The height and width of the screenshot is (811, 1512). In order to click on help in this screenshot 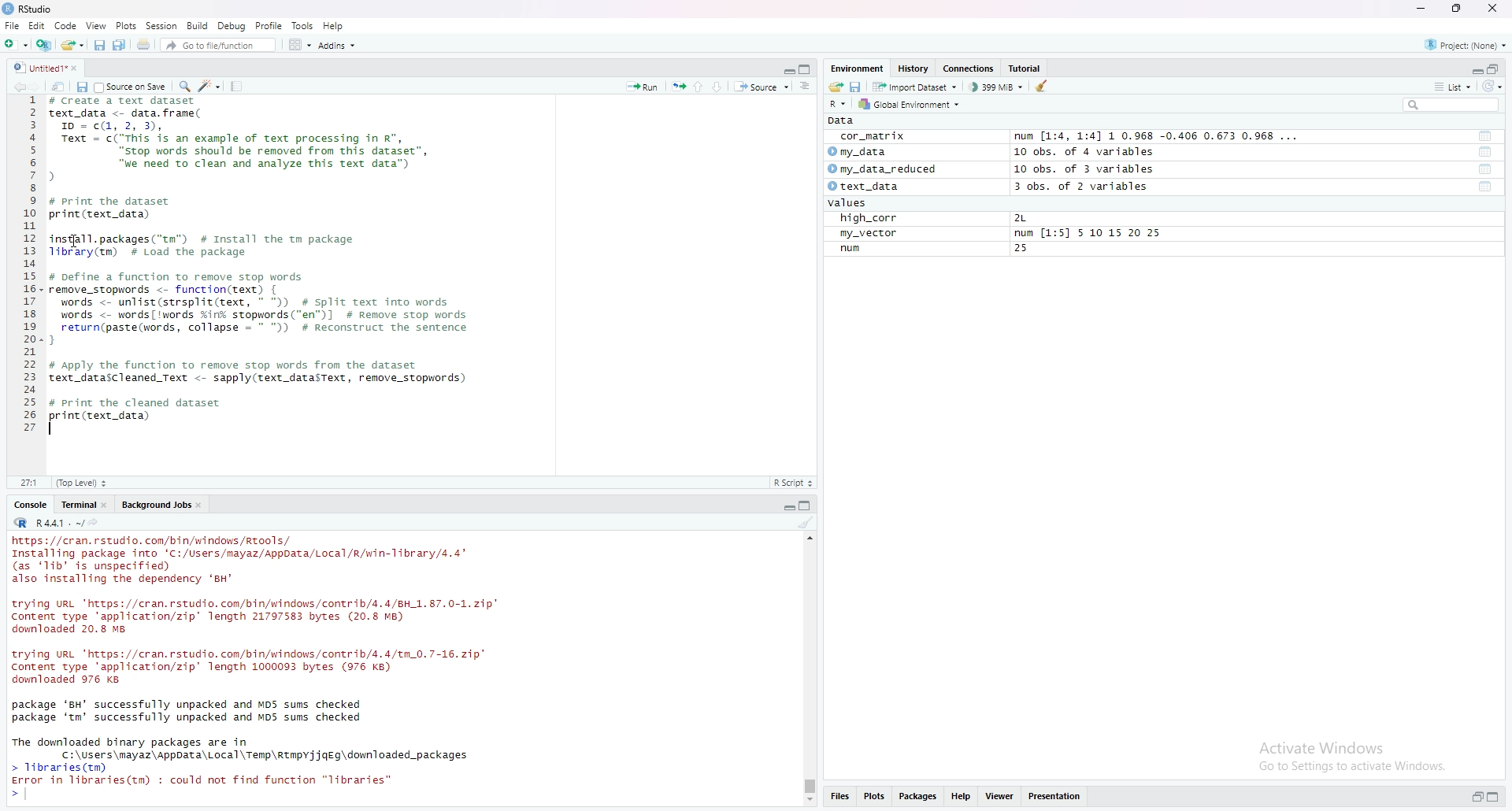, I will do `click(334, 26)`.